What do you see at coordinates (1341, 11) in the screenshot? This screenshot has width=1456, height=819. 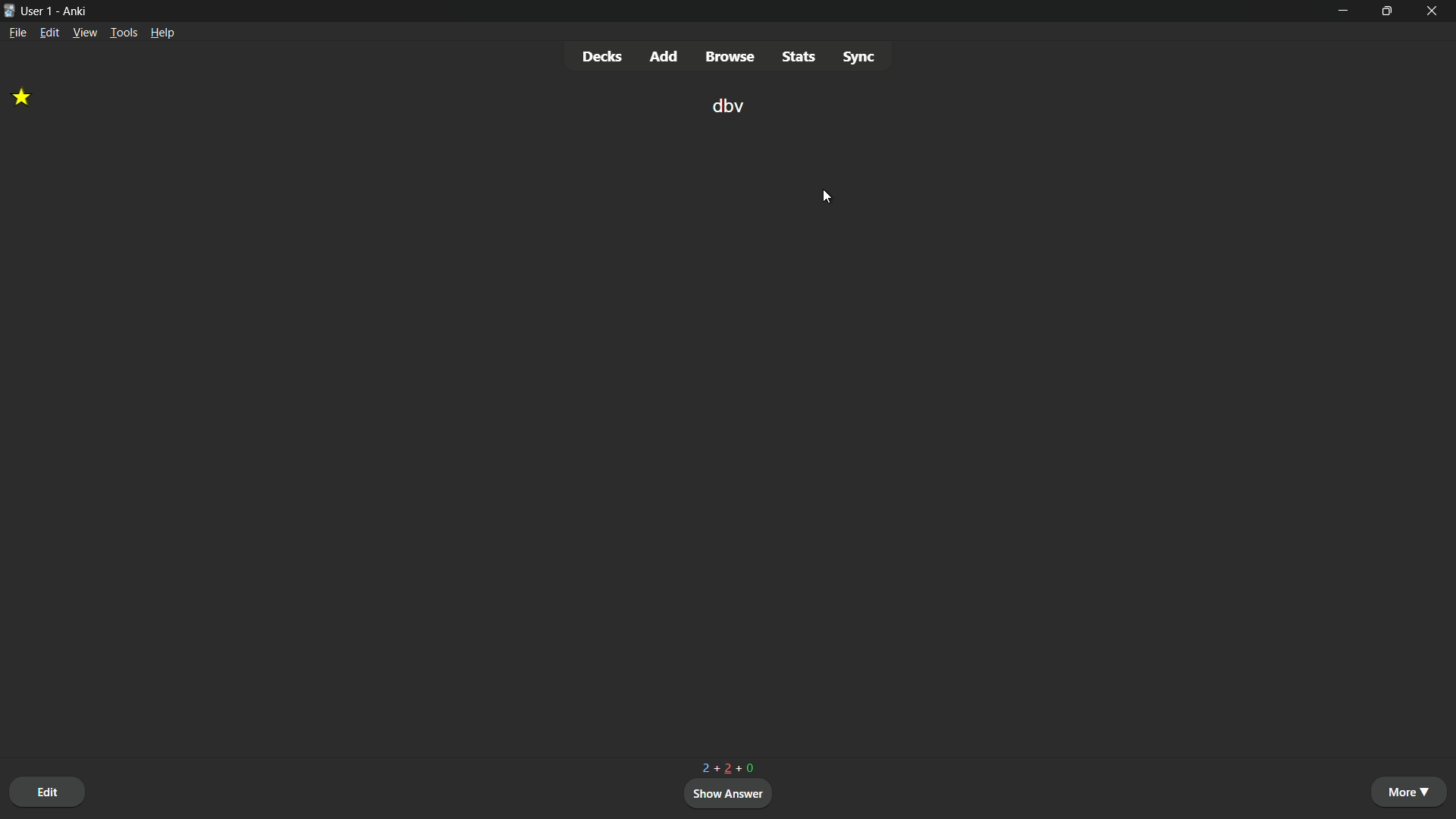 I see `minimize` at bounding box center [1341, 11].